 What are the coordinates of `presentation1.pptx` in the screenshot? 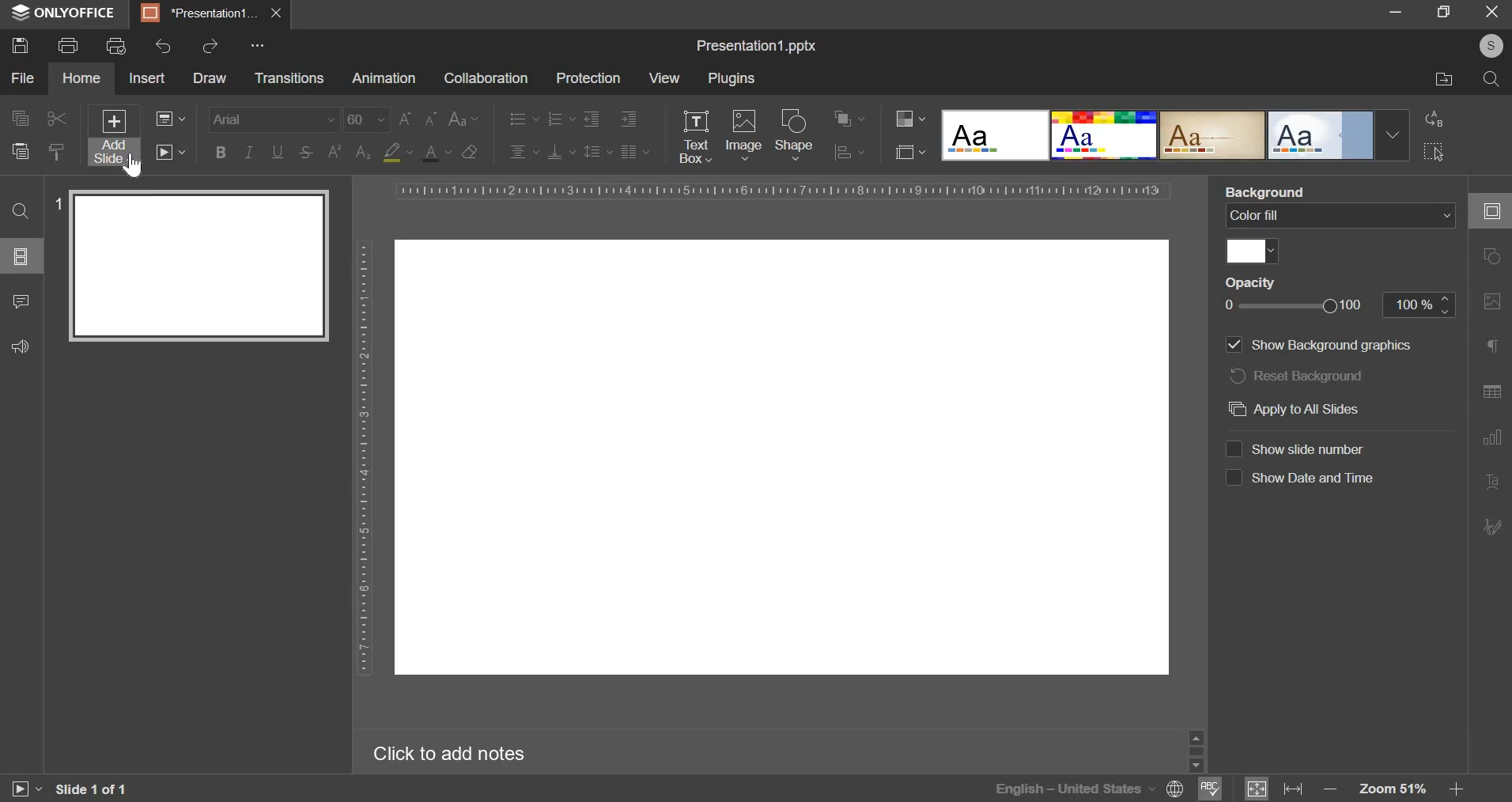 It's located at (758, 43).